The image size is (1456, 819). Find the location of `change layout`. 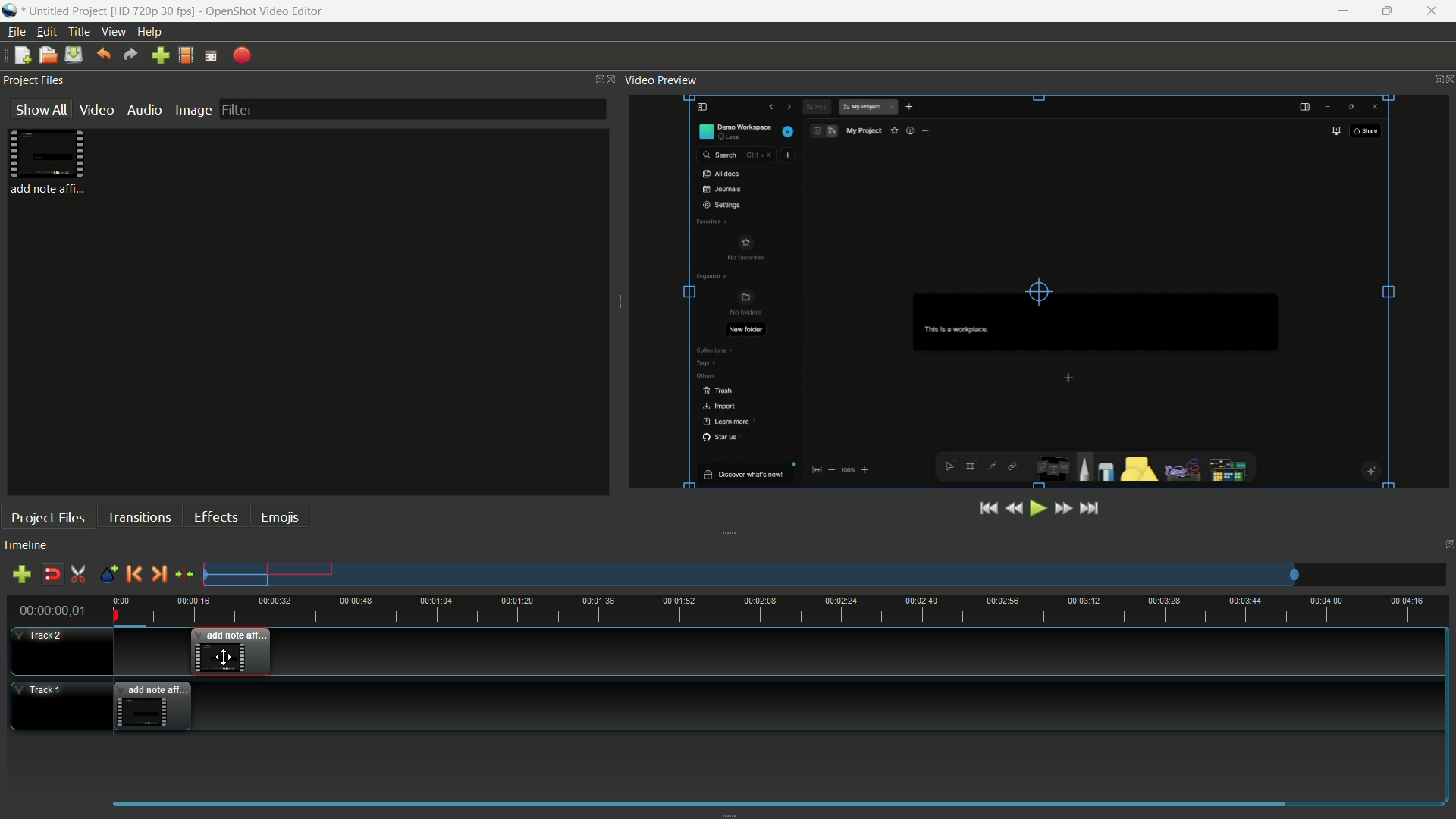

change layout is located at coordinates (593, 80).